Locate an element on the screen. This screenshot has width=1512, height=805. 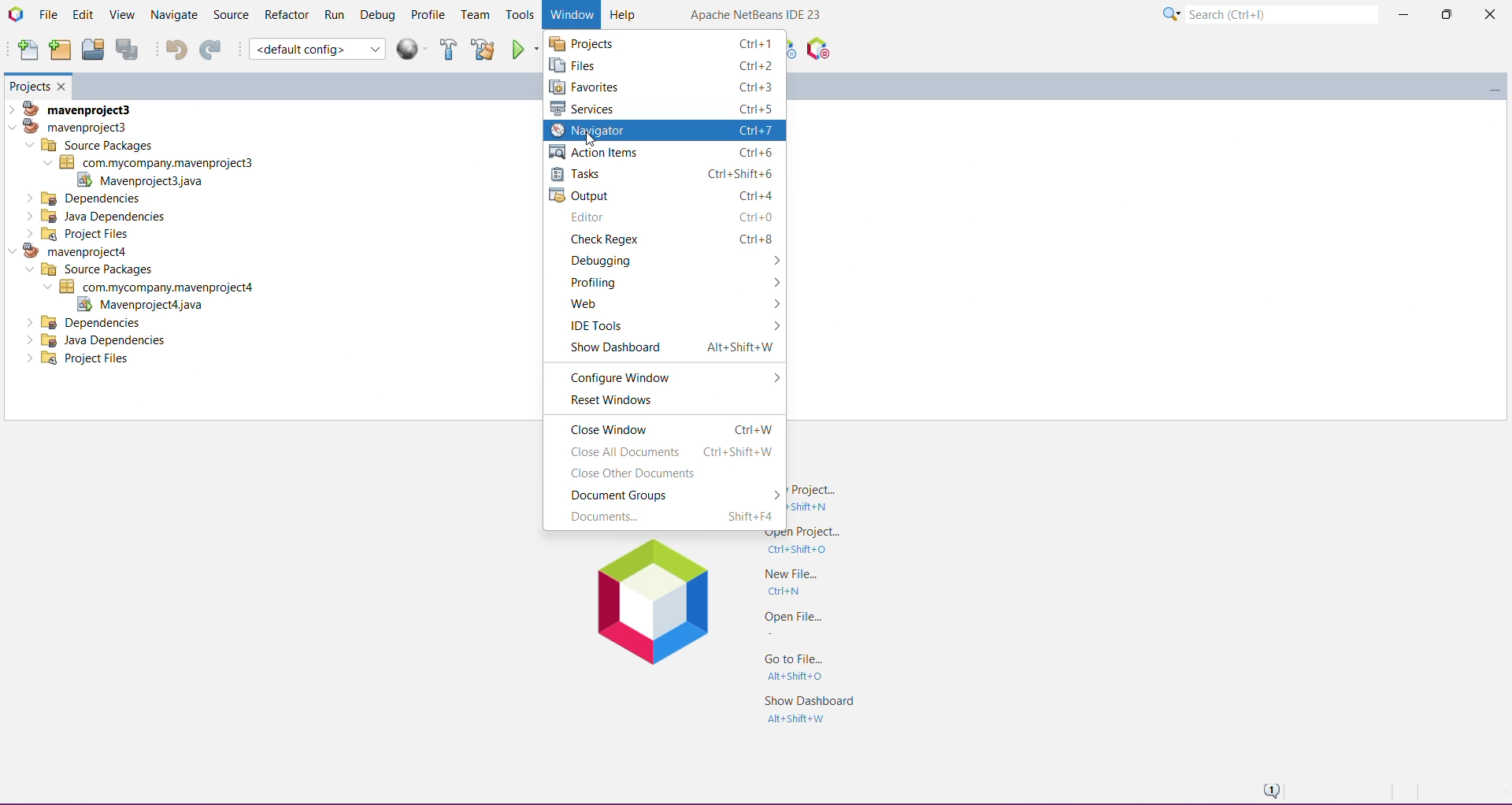
mavenproject3 is located at coordinates (74, 126).